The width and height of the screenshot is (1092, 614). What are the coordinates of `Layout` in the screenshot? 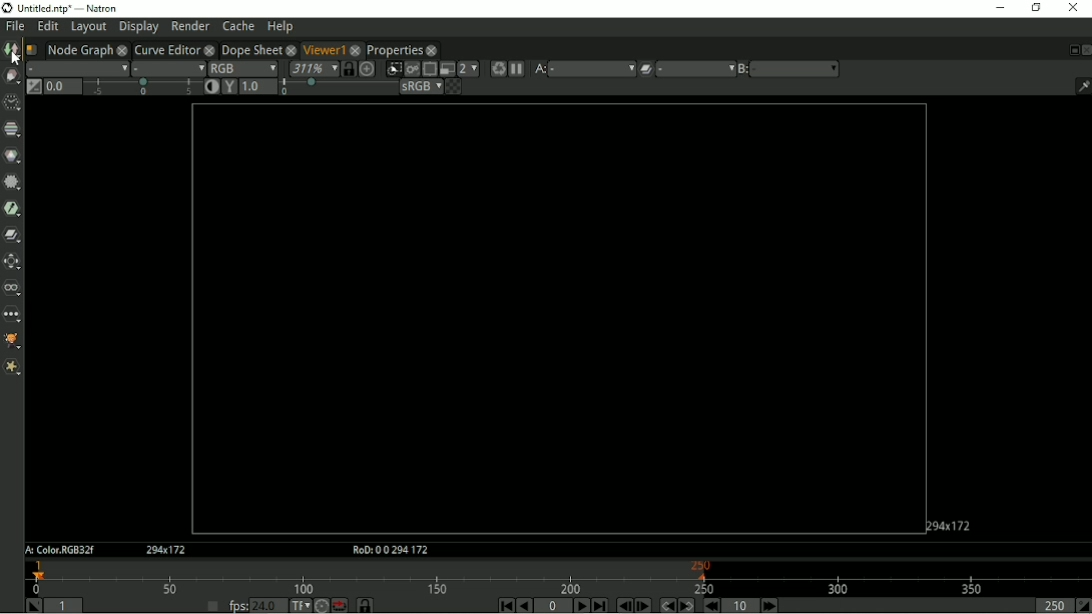 It's located at (88, 27).